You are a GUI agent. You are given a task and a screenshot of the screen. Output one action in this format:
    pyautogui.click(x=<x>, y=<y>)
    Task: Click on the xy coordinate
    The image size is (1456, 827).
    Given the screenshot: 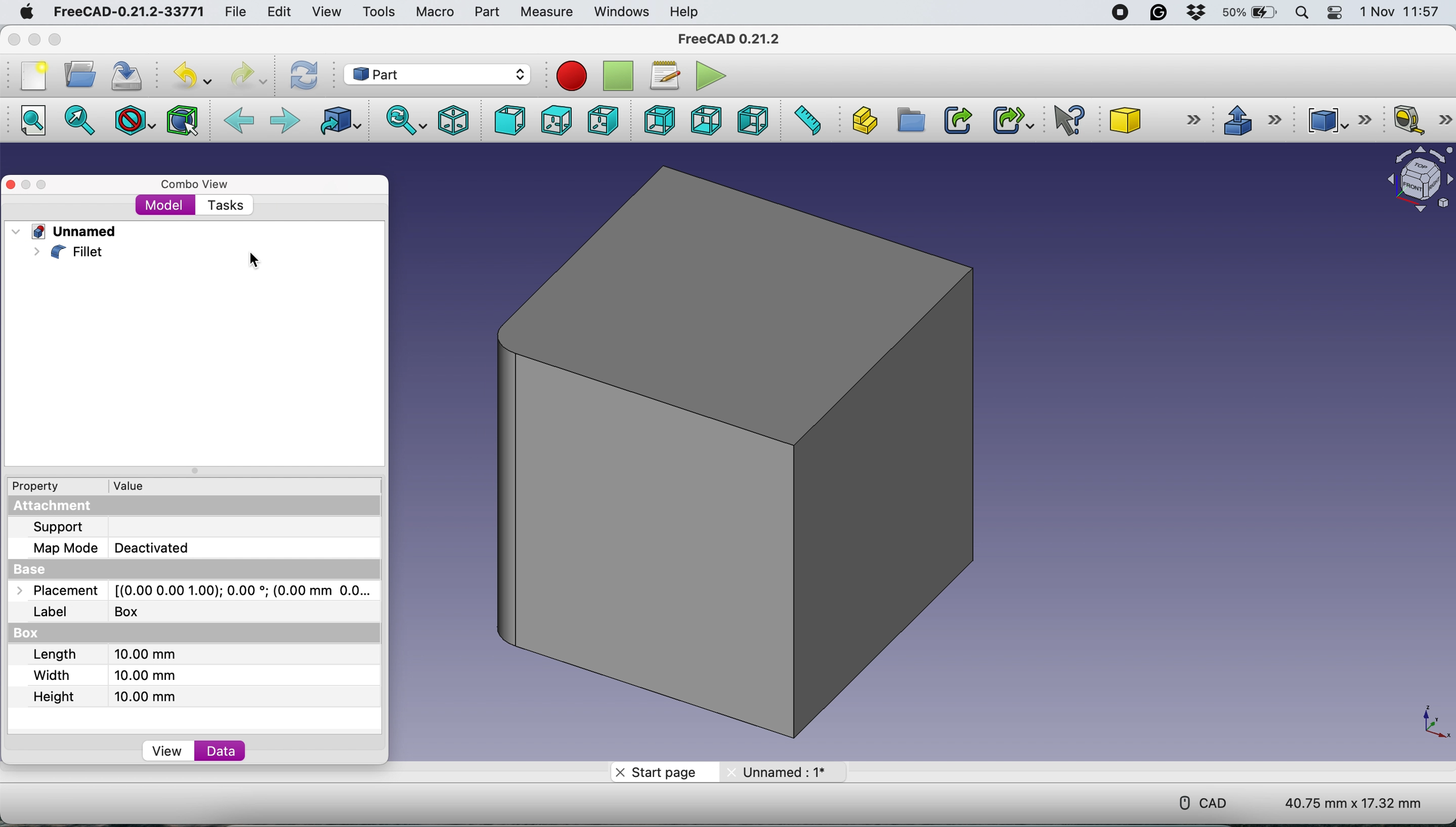 What is the action you would take?
    pyautogui.click(x=1421, y=721)
    